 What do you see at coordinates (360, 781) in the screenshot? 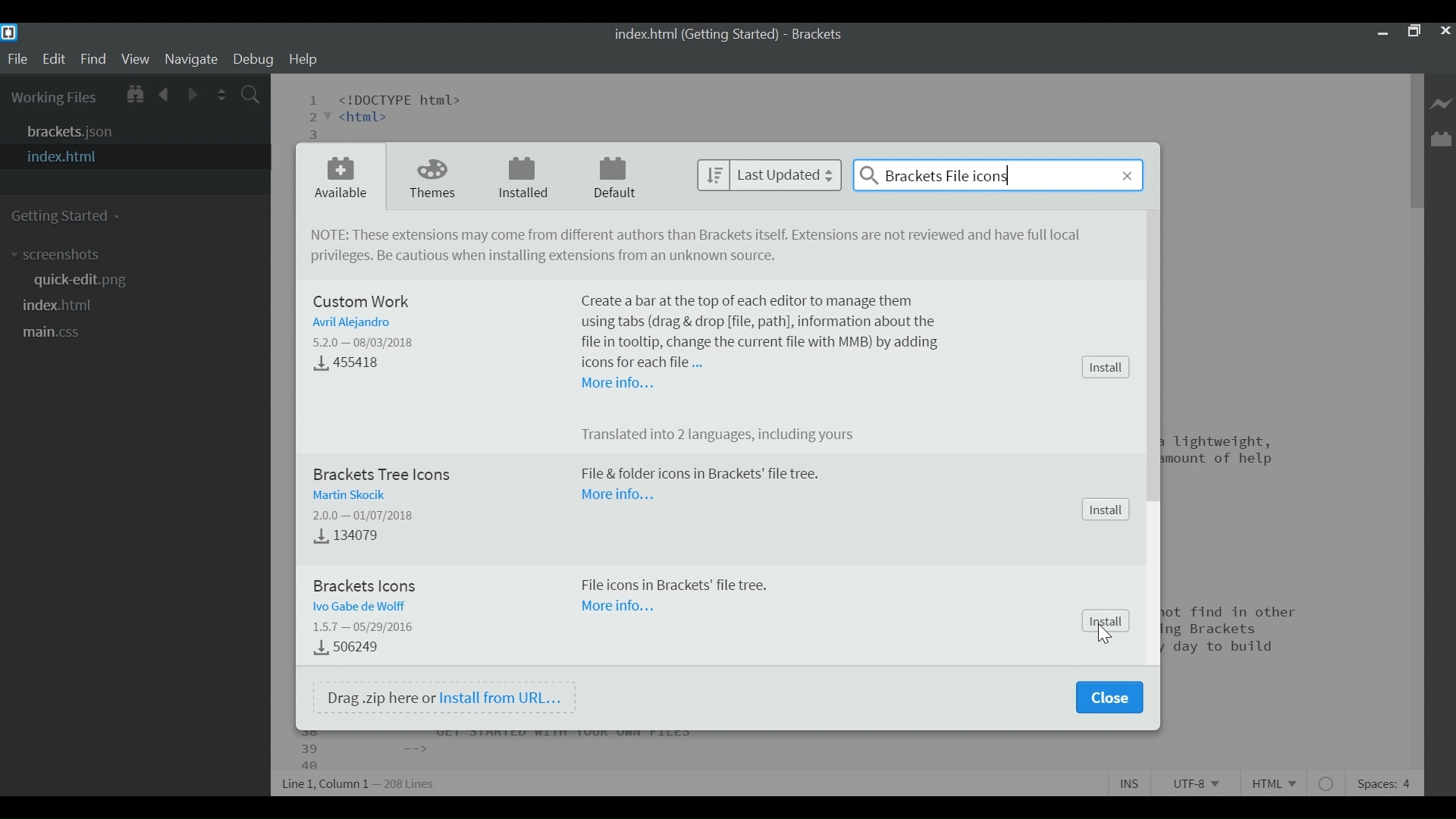
I see `Line, Column Preferences` at bounding box center [360, 781].